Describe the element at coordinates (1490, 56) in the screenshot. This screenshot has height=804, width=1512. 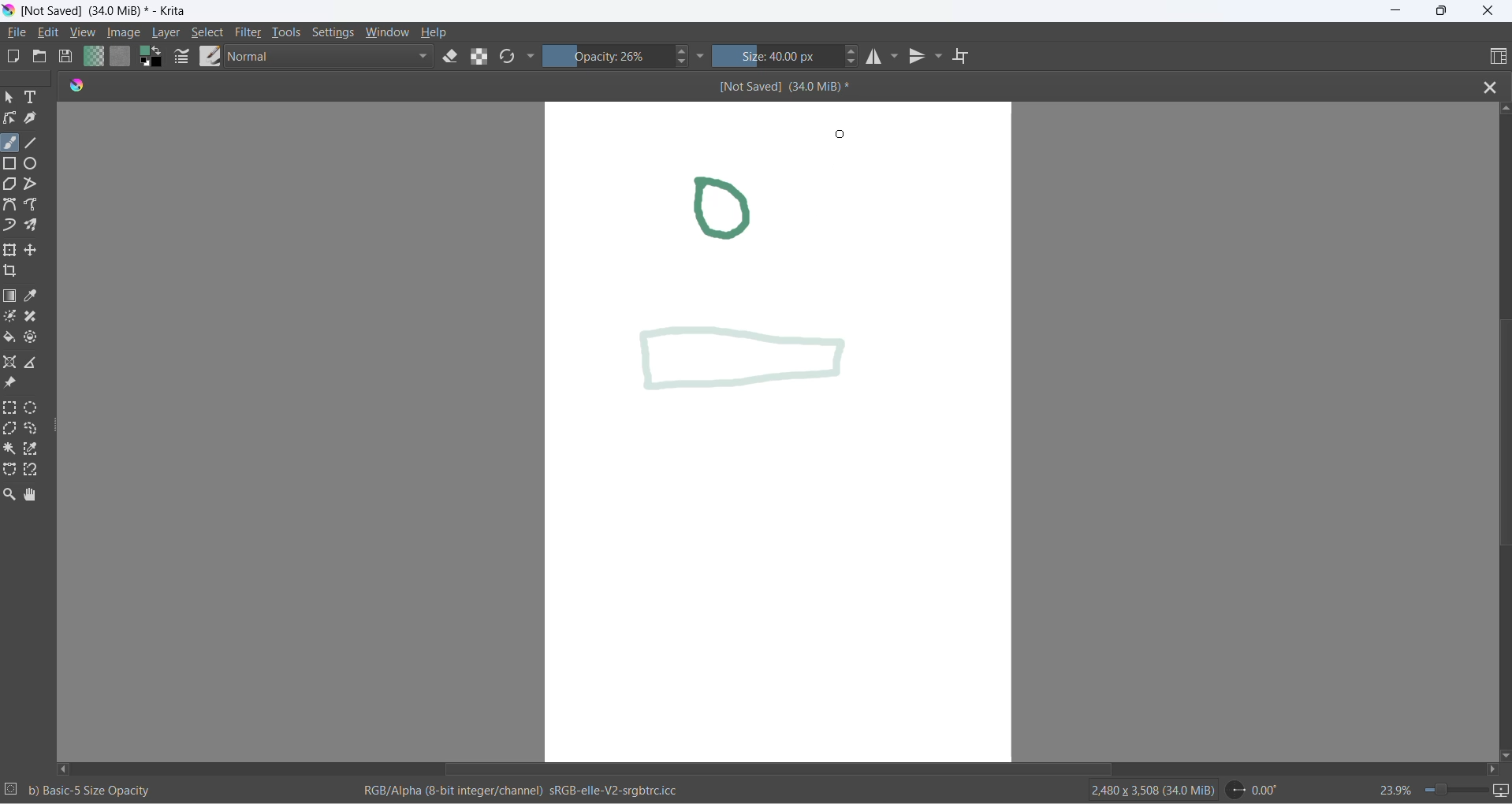
I see `choose workspace` at that location.